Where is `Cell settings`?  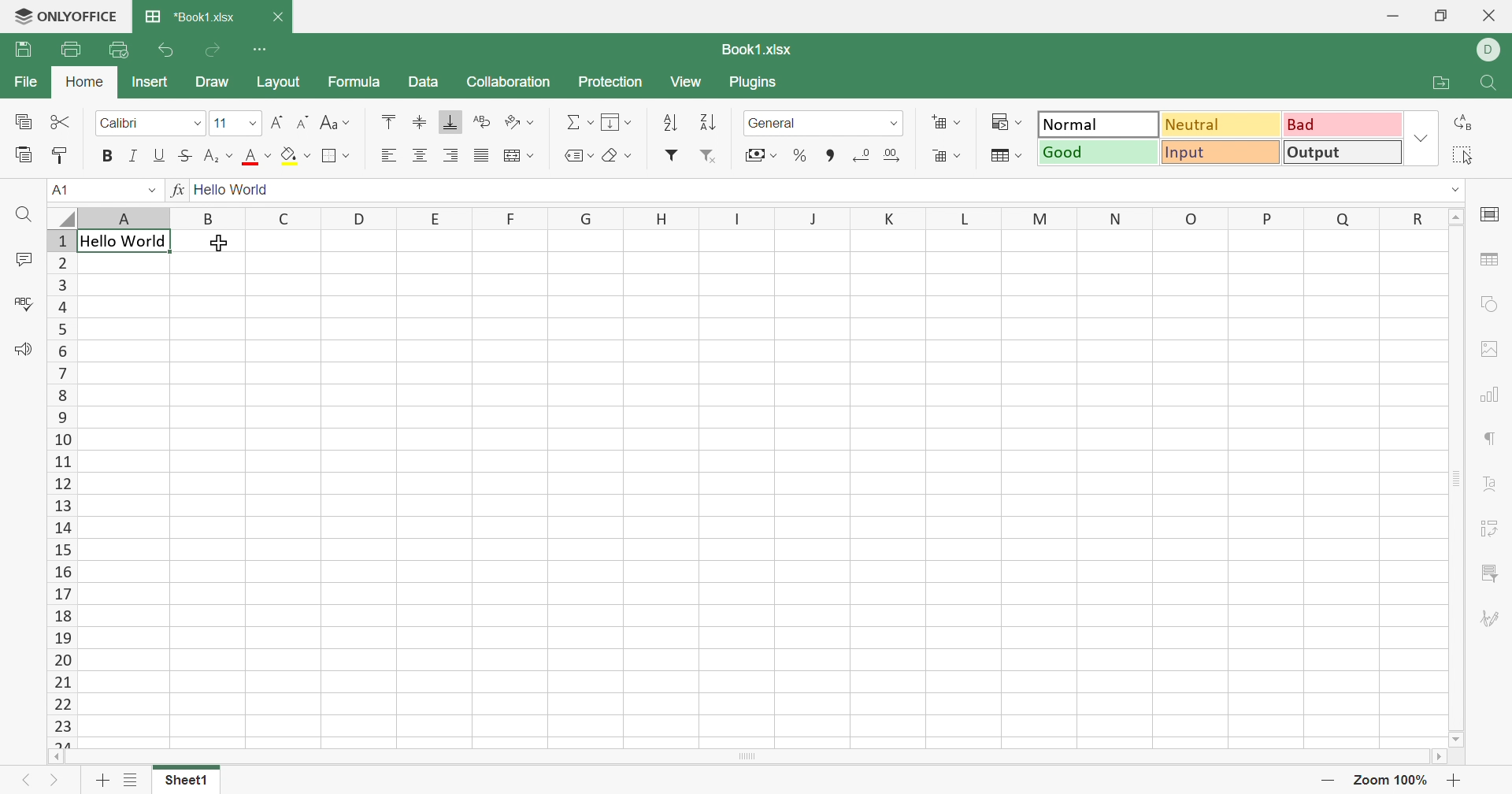 Cell settings is located at coordinates (1492, 213).